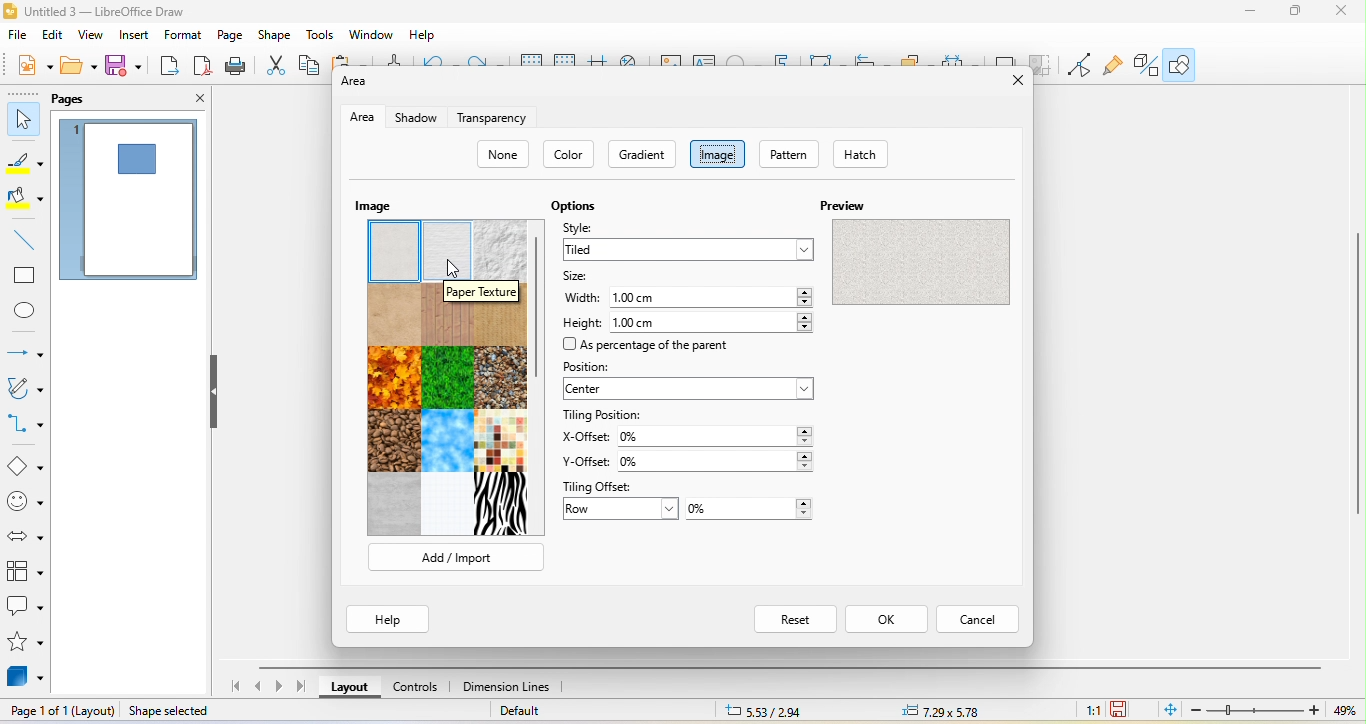 Image resolution: width=1366 pixels, height=724 pixels. What do you see at coordinates (279, 34) in the screenshot?
I see `shape` at bounding box center [279, 34].